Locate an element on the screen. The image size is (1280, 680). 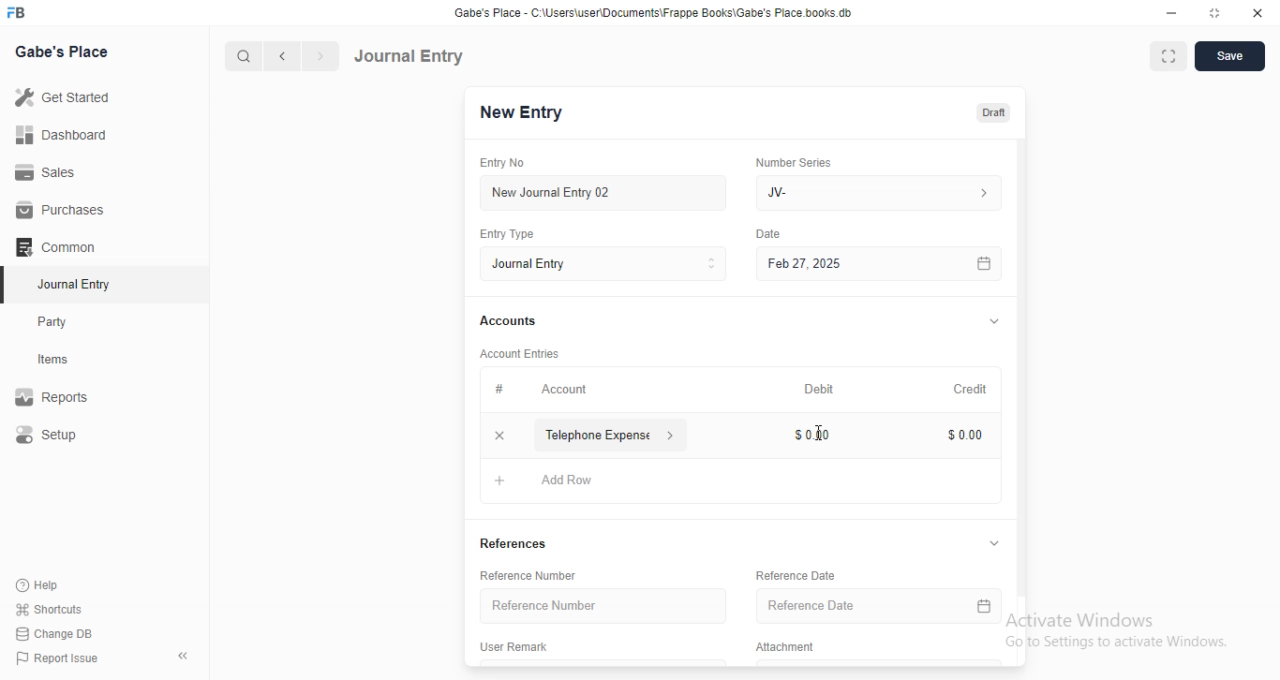
Collapse is located at coordinates (184, 656).